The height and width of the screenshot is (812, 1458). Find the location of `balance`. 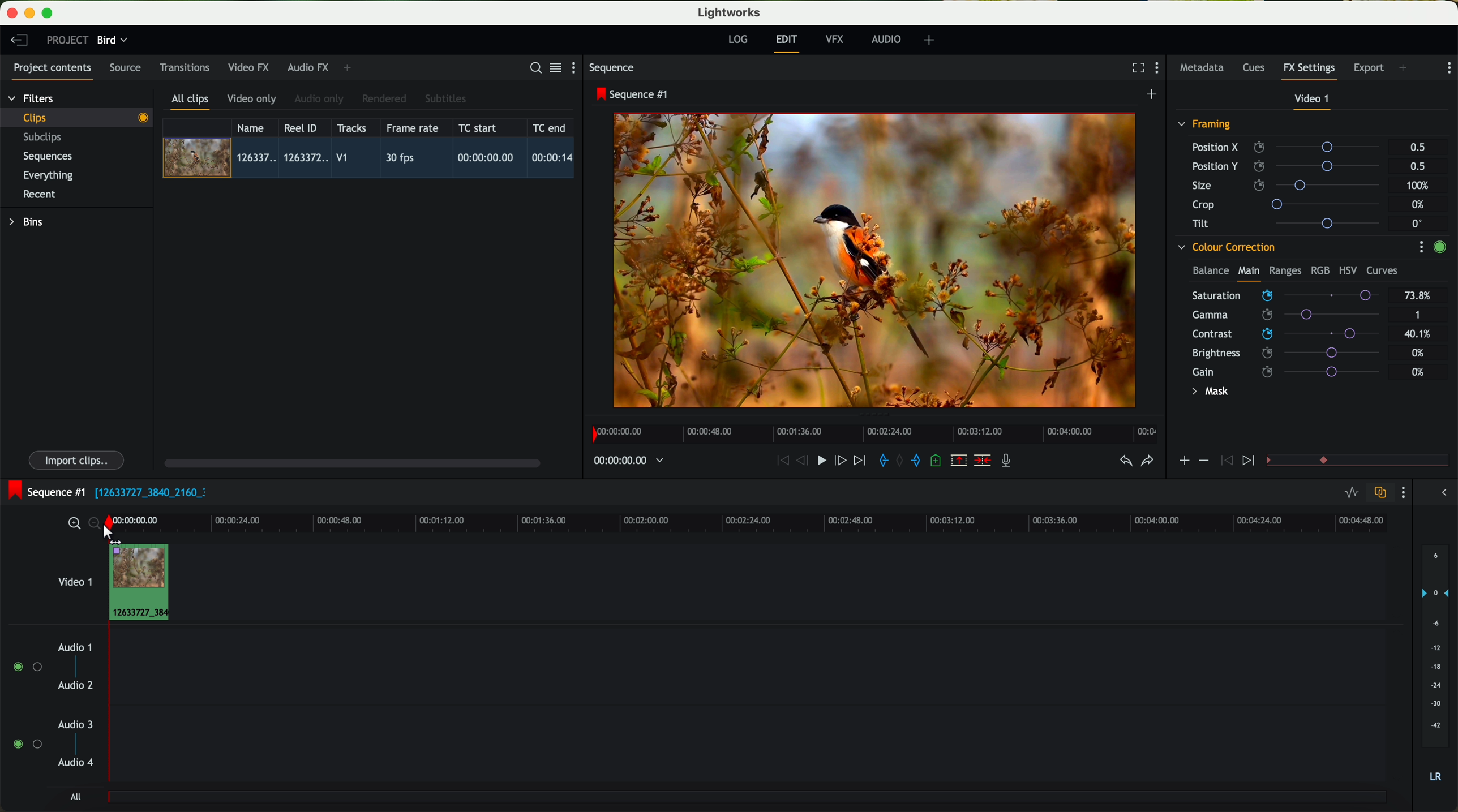

balance is located at coordinates (1211, 272).